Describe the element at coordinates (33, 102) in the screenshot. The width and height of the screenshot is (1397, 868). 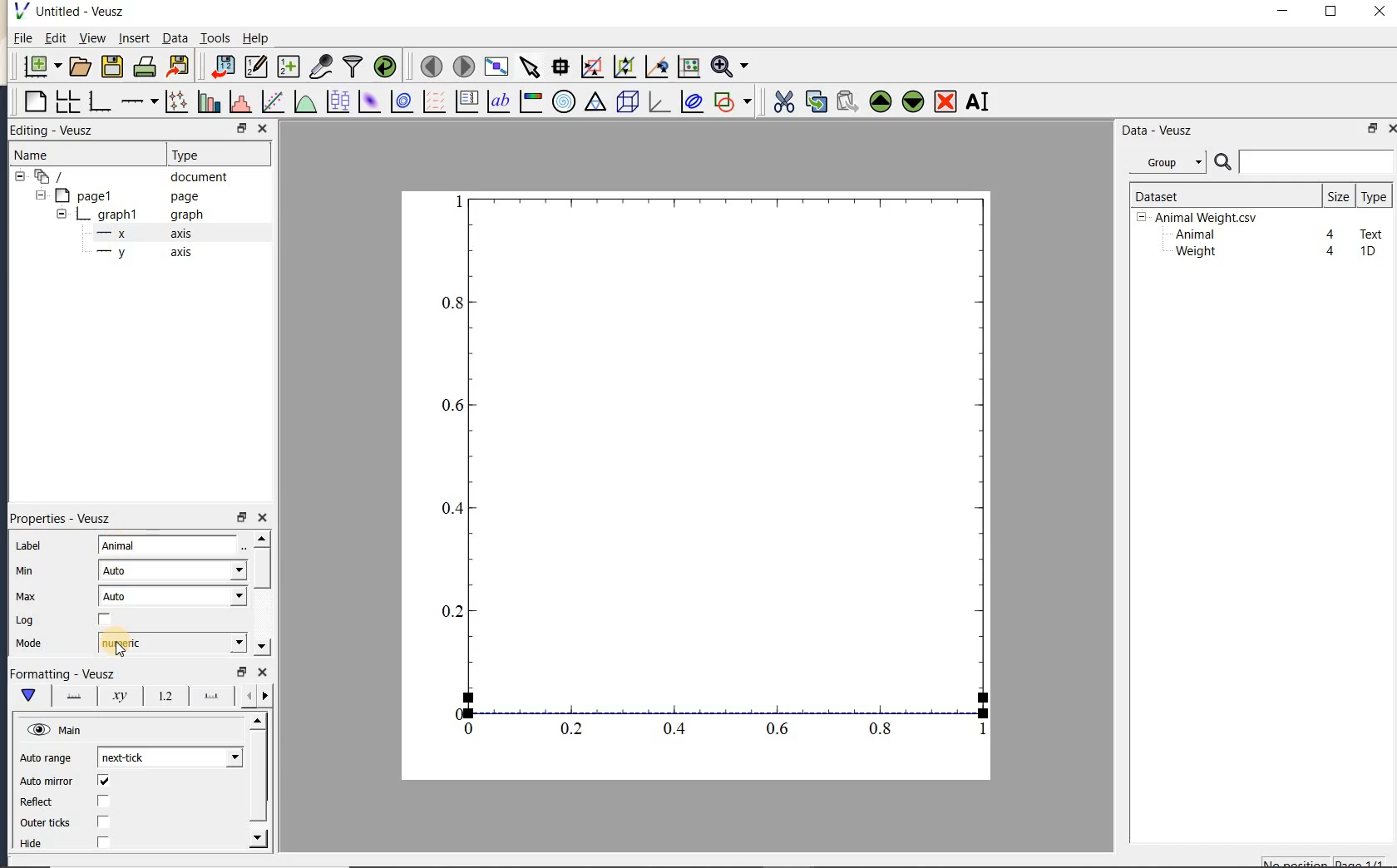
I see `blank page` at that location.